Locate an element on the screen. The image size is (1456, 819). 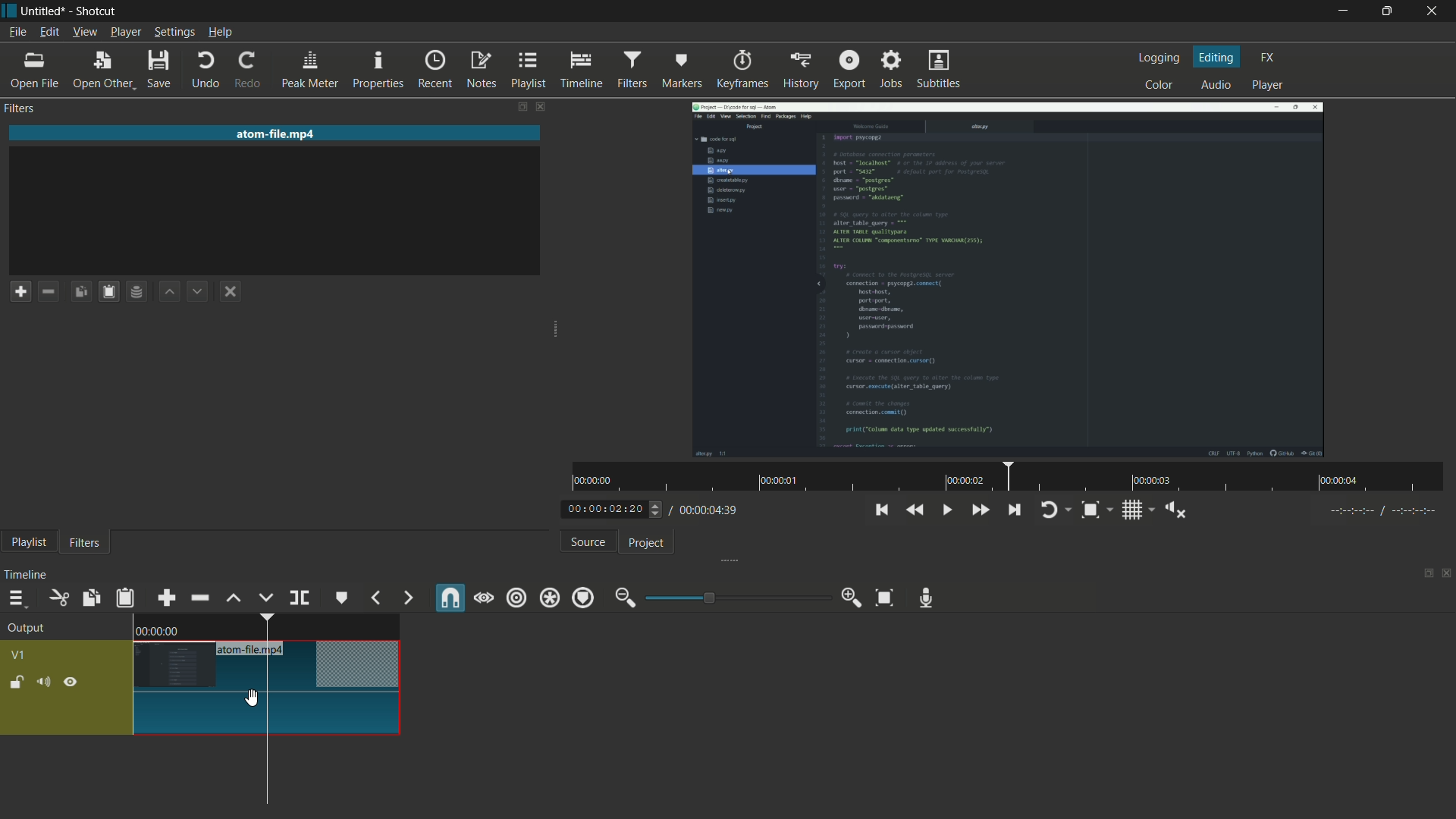
record audio is located at coordinates (927, 600).